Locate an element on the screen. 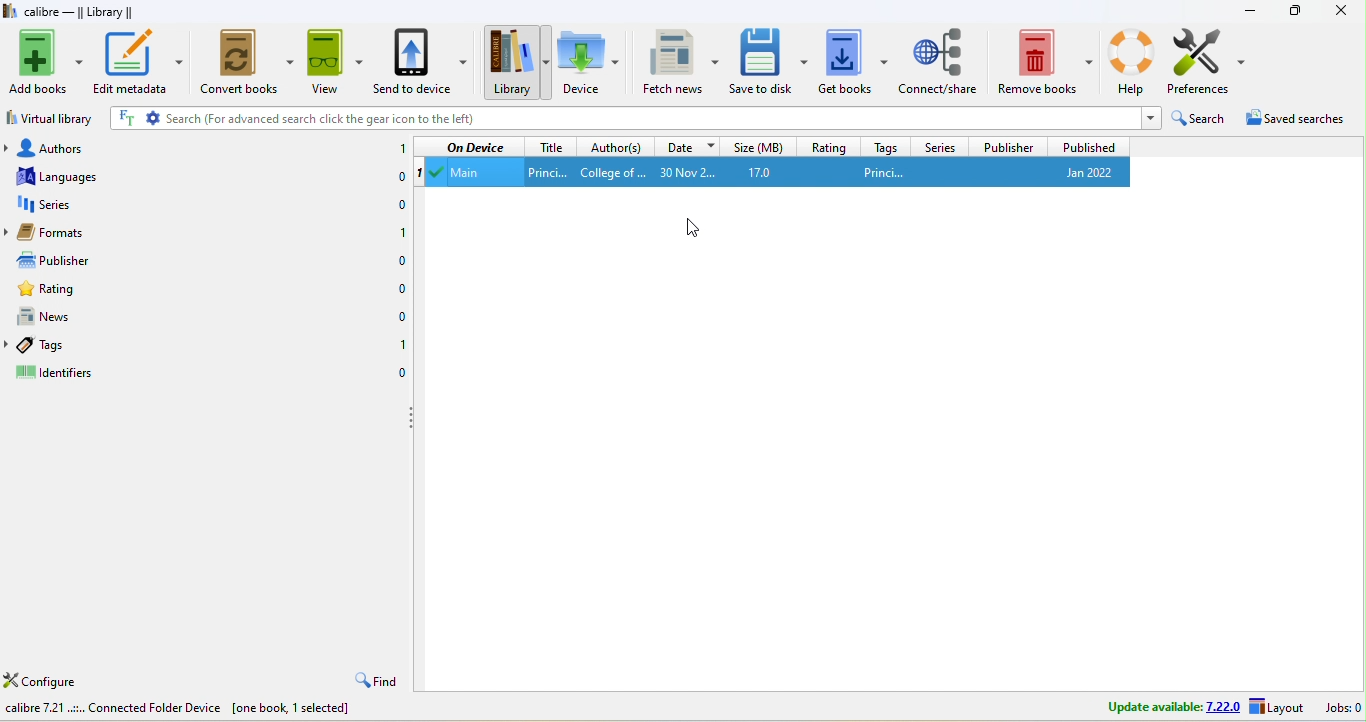 The image size is (1366, 722). jan 2022 is located at coordinates (1082, 172).